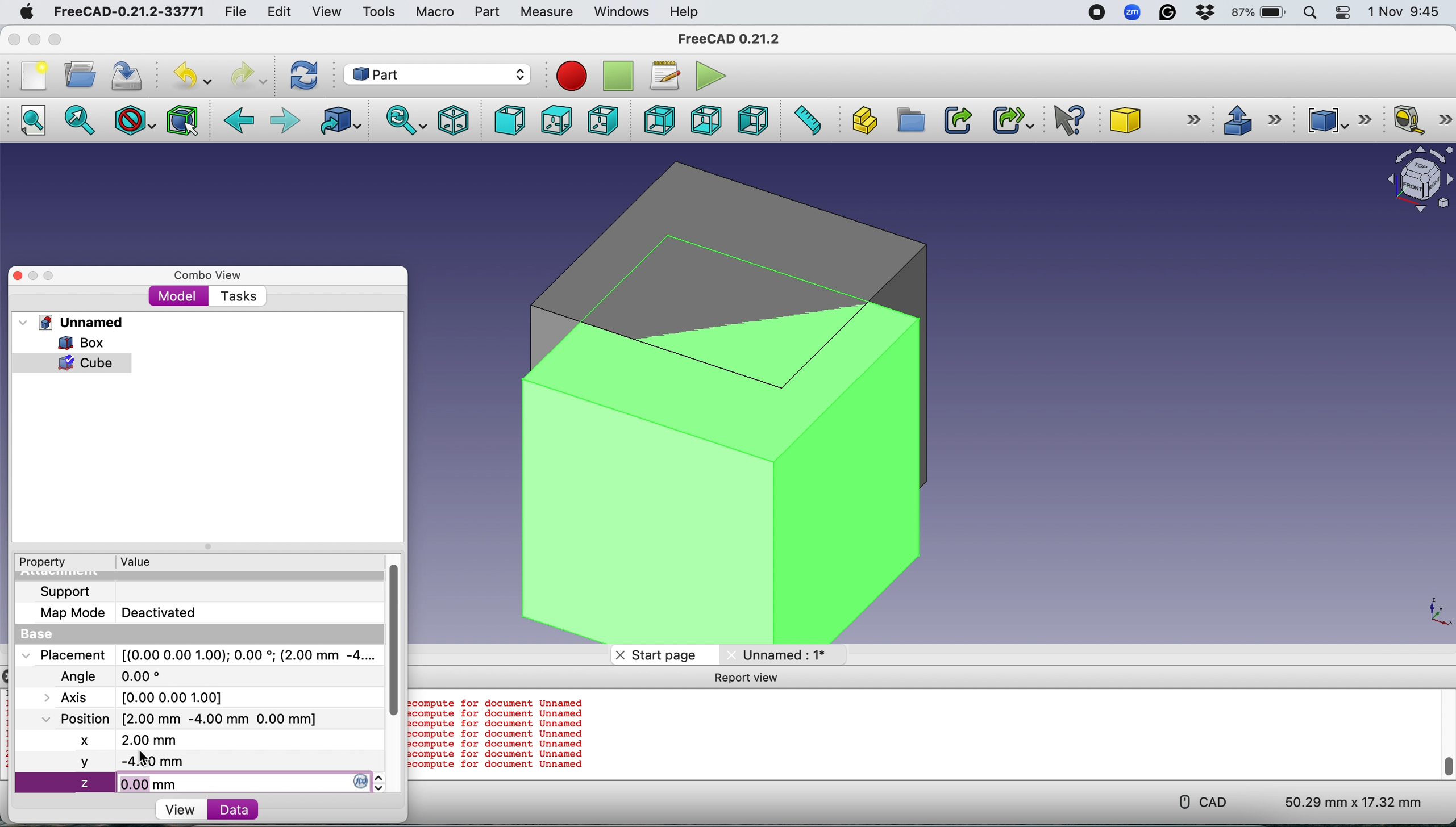 The width and height of the screenshot is (1456, 827). Describe the element at coordinates (1251, 119) in the screenshot. I see `Extrude` at that location.